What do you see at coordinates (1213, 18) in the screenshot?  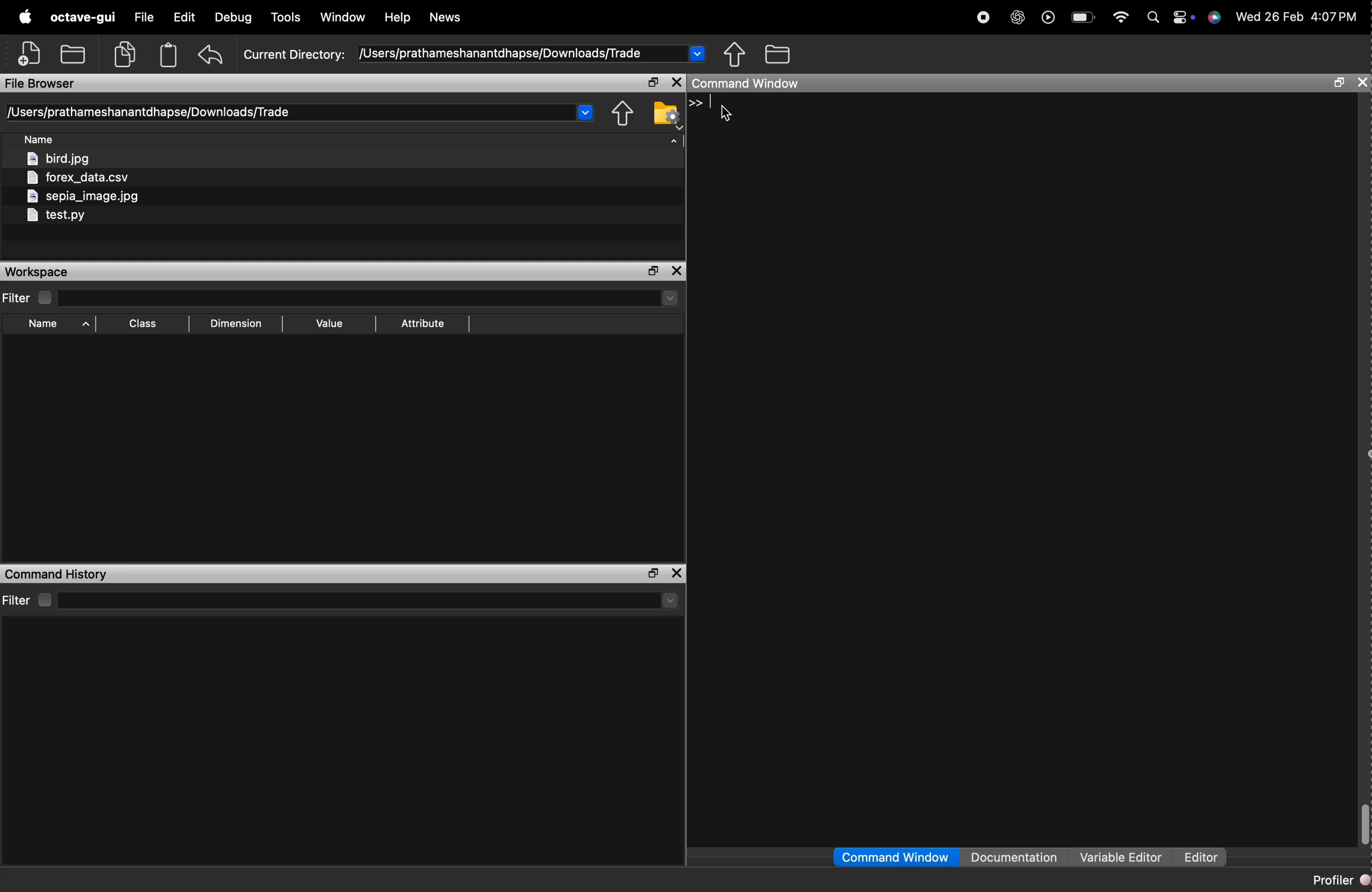 I see `support` at bounding box center [1213, 18].